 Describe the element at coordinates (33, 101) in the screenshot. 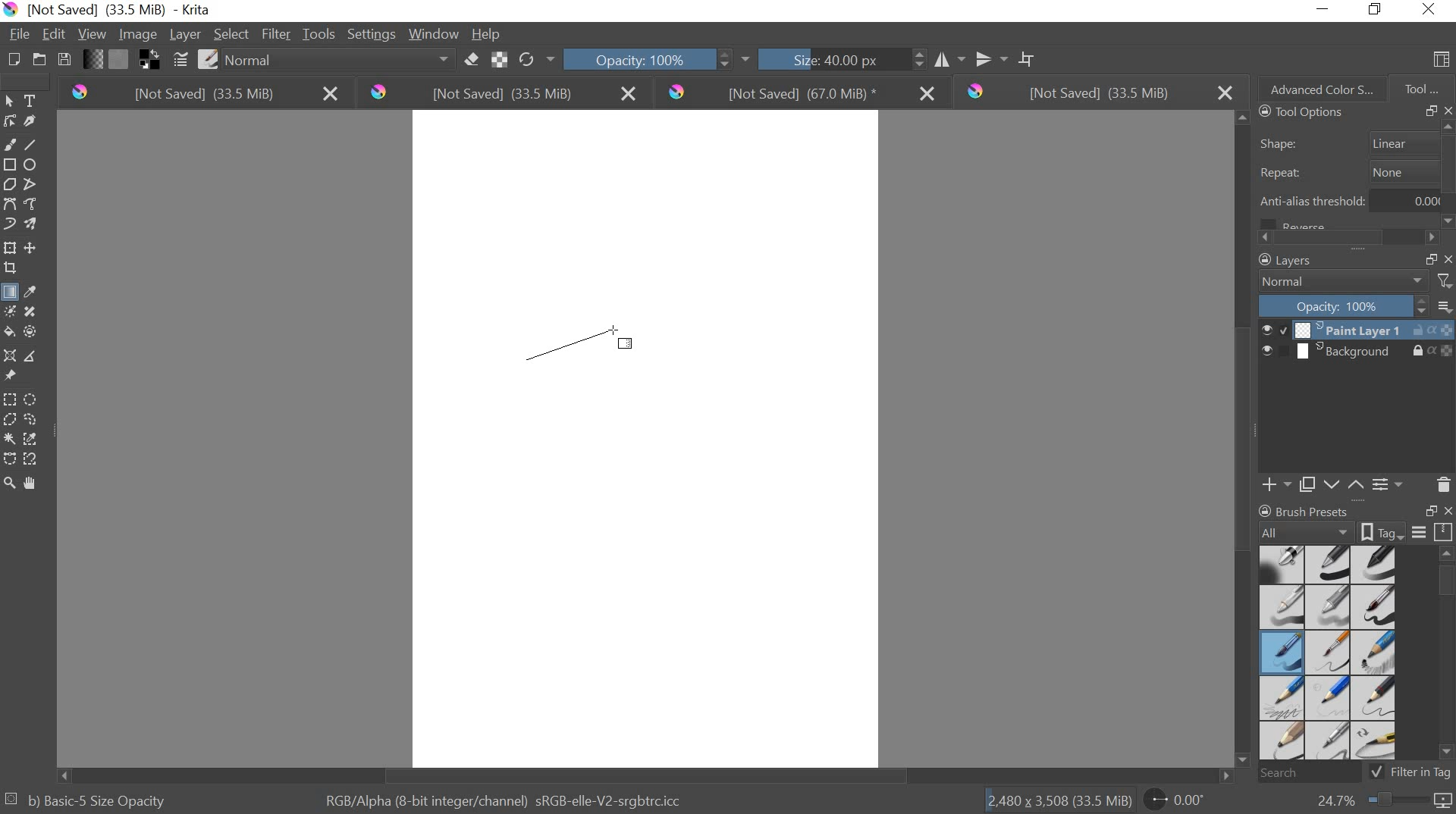

I see `text` at that location.